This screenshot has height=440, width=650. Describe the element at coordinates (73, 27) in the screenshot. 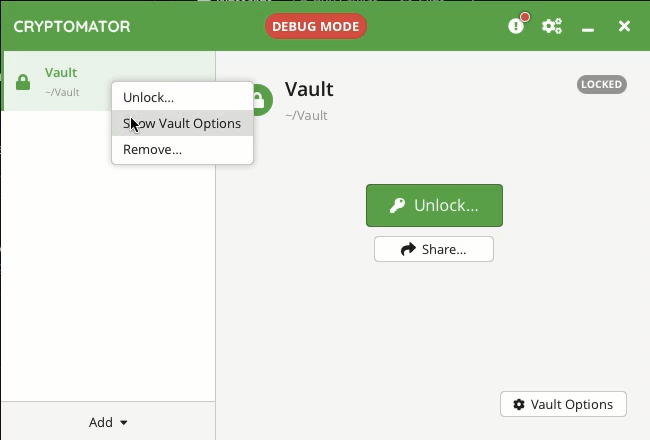

I see `CRYPTOMATOR` at that location.